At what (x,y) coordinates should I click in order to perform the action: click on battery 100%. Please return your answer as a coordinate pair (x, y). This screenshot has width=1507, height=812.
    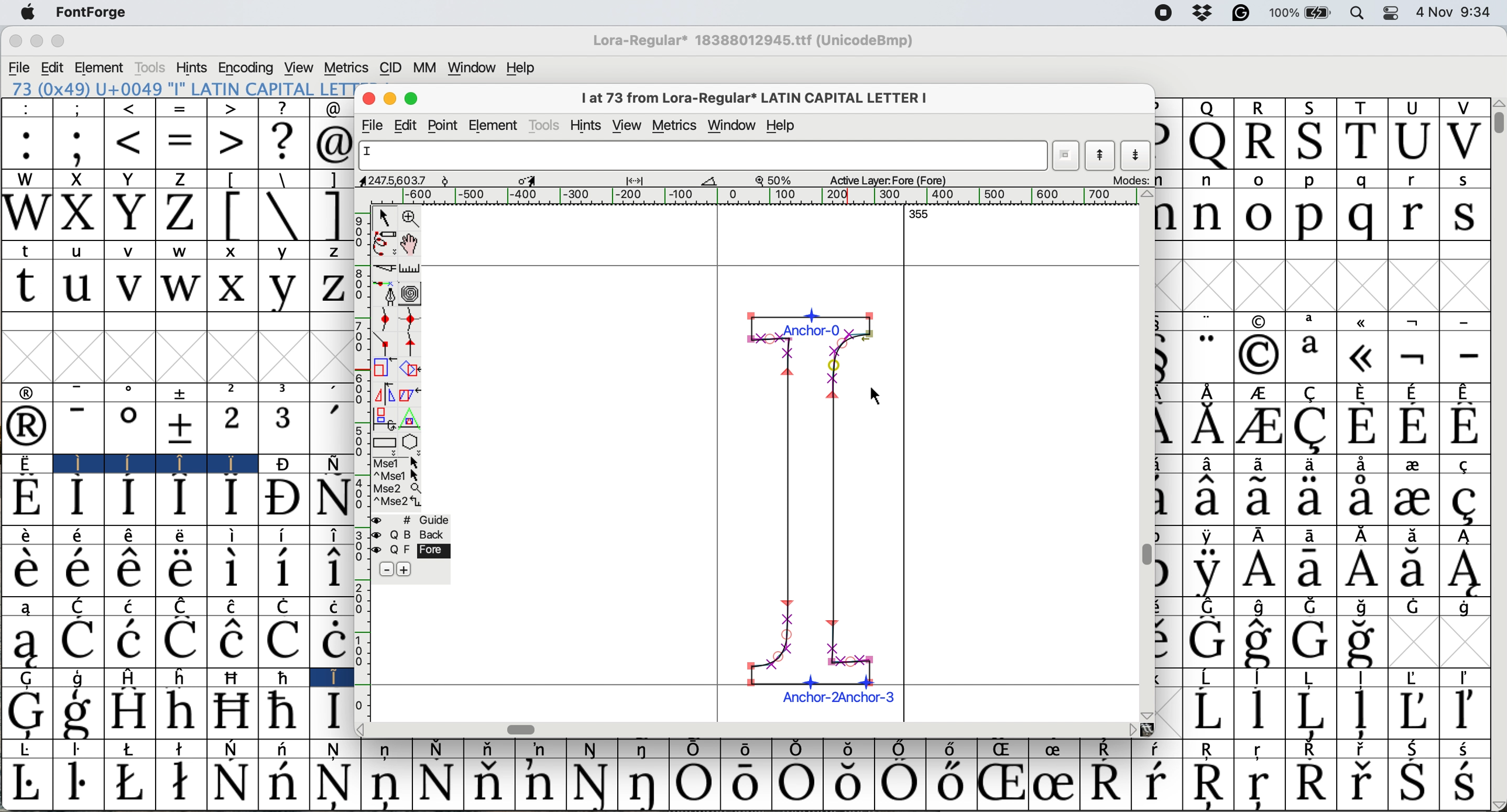
    Looking at the image, I should click on (1303, 12).